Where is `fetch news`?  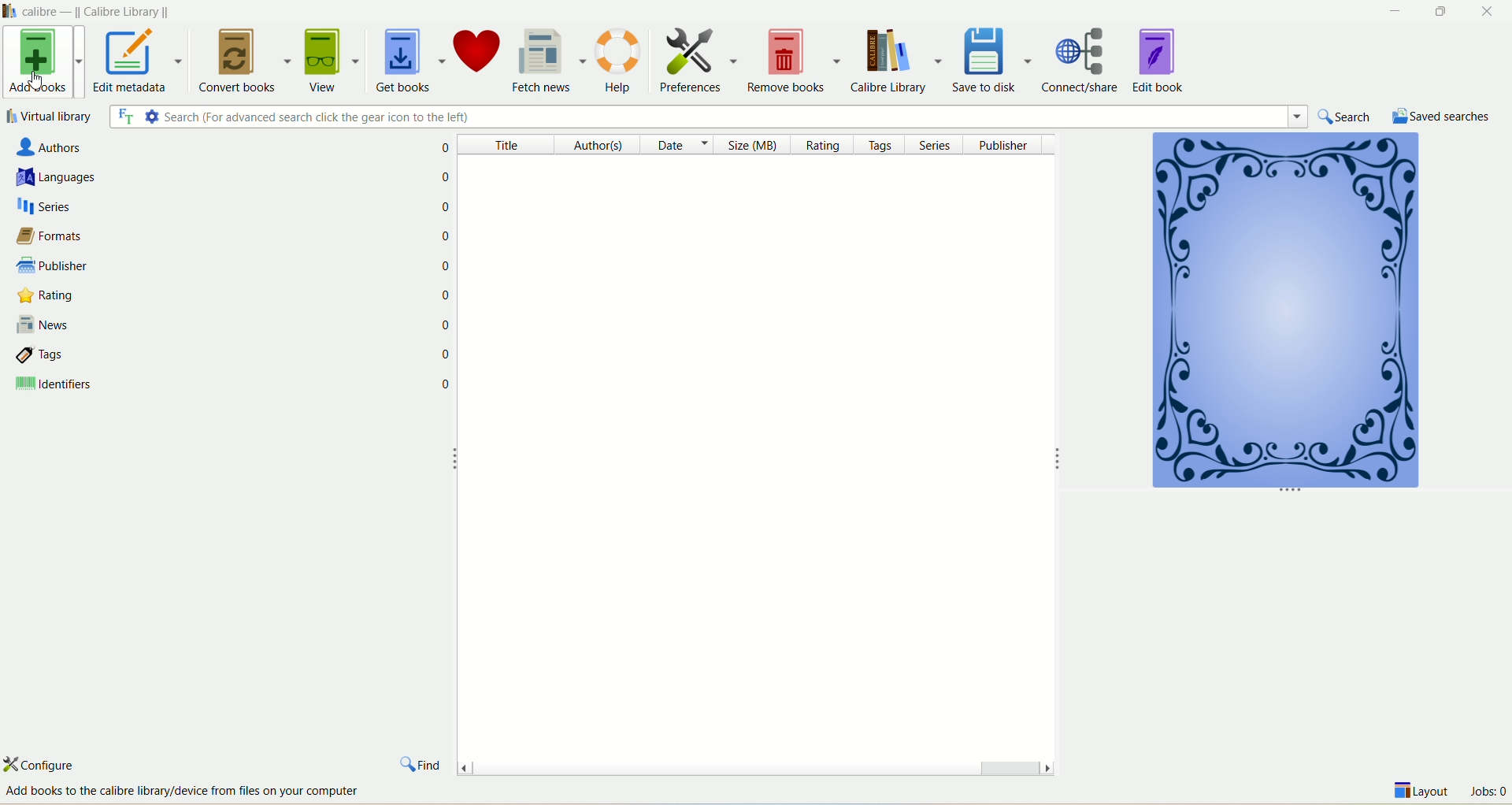 fetch news is located at coordinates (550, 57).